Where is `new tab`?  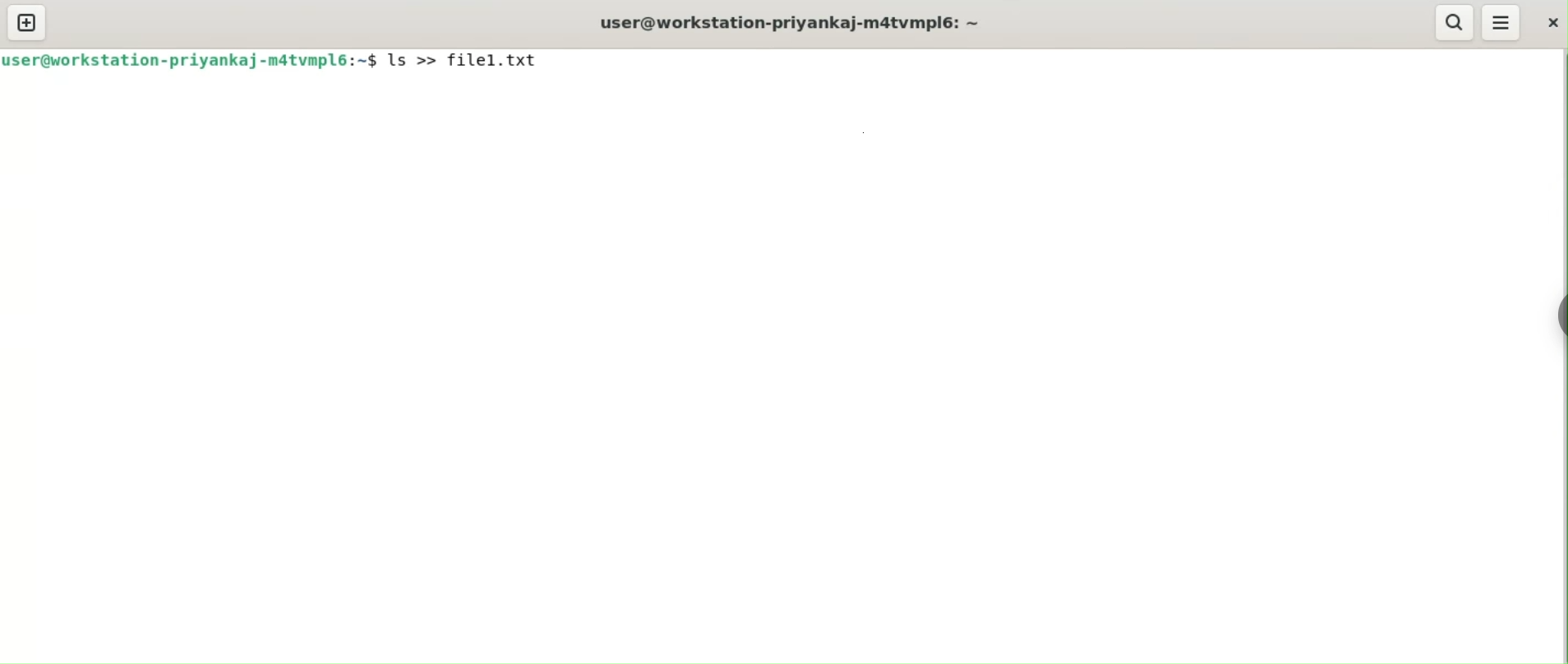
new tab is located at coordinates (27, 22).